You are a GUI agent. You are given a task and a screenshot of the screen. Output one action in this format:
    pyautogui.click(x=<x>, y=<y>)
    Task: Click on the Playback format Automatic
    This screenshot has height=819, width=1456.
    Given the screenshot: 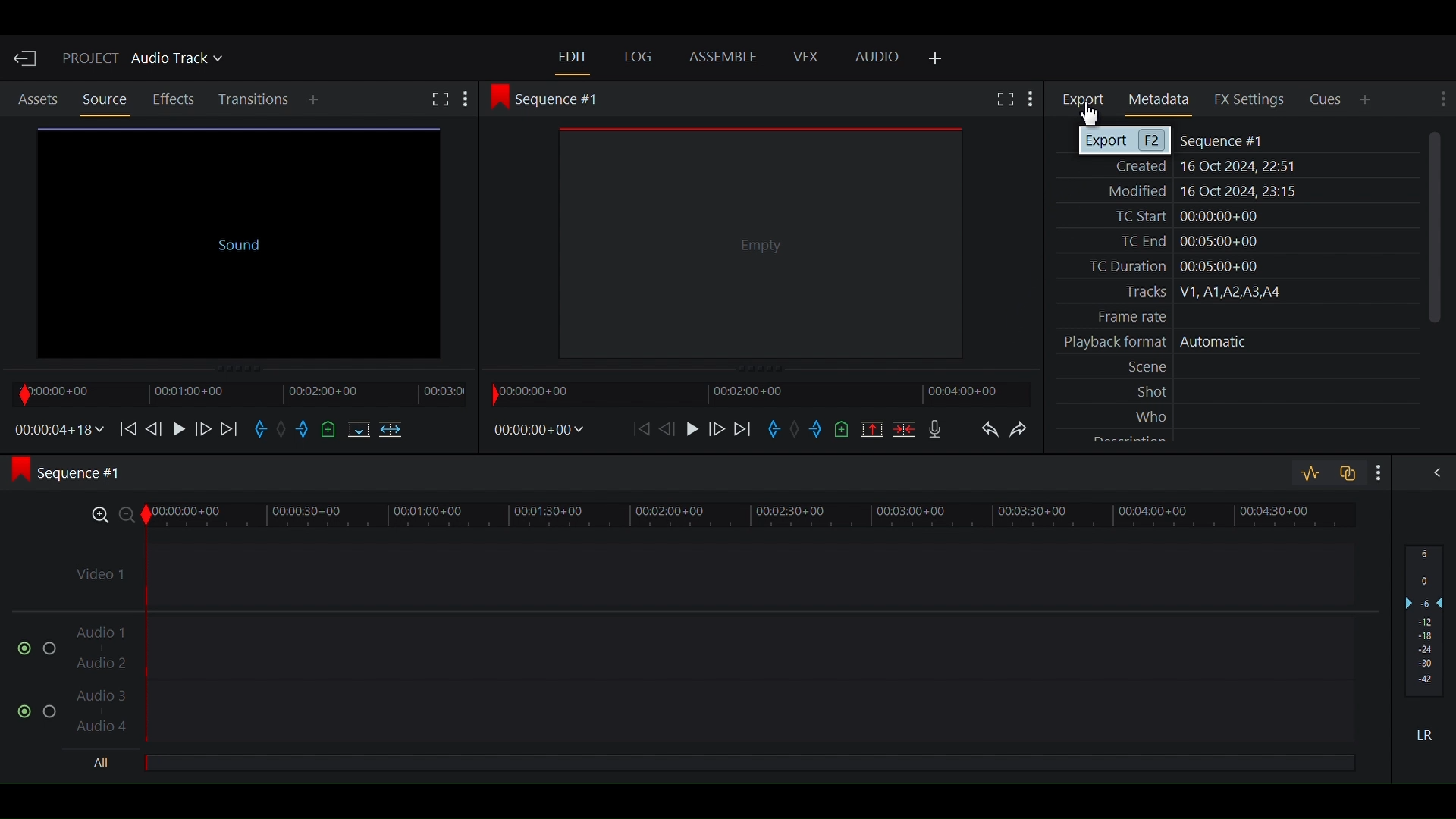 What is the action you would take?
    pyautogui.click(x=1149, y=344)
    